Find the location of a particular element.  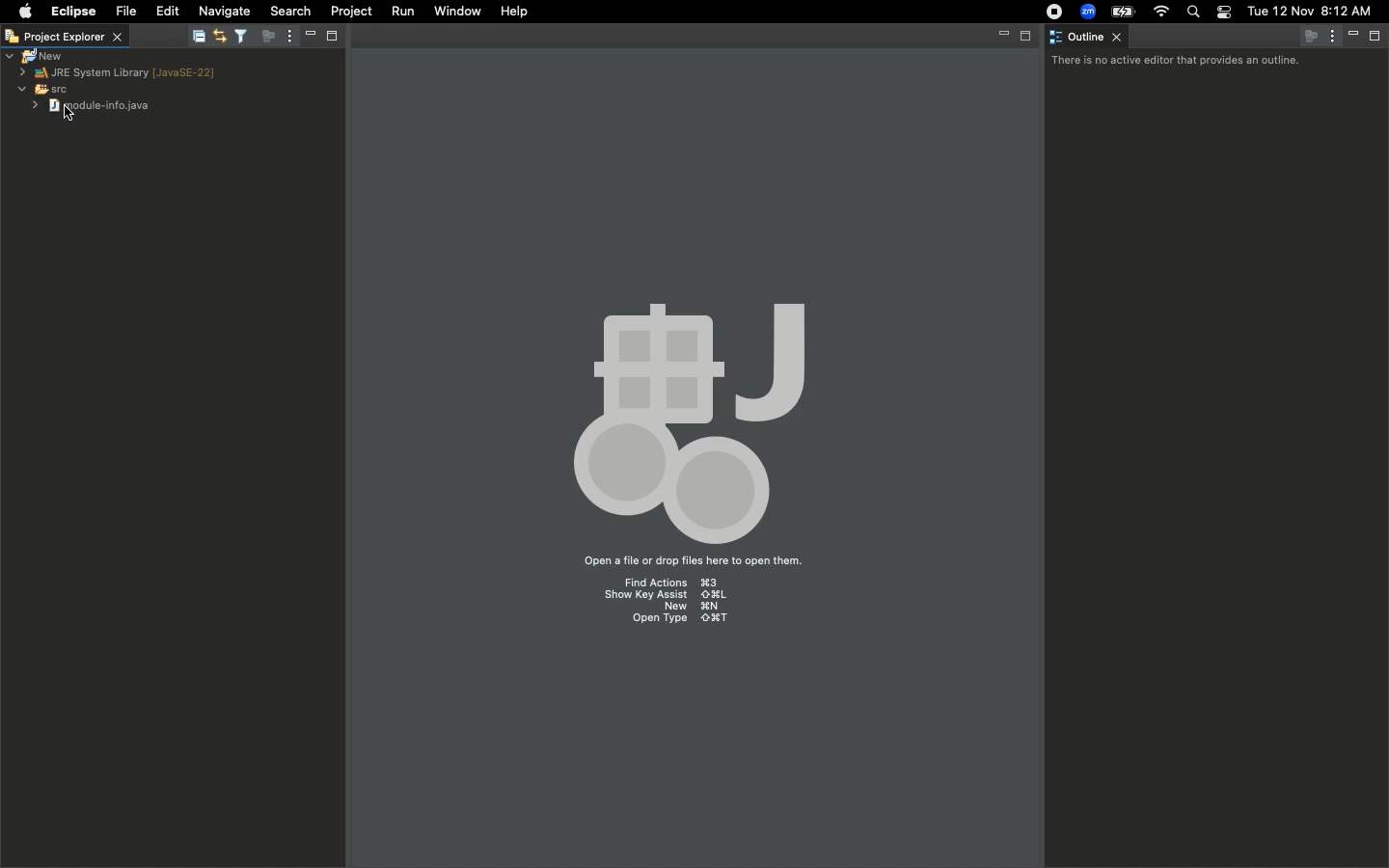

Internet is located at coordinates (1159, 13).